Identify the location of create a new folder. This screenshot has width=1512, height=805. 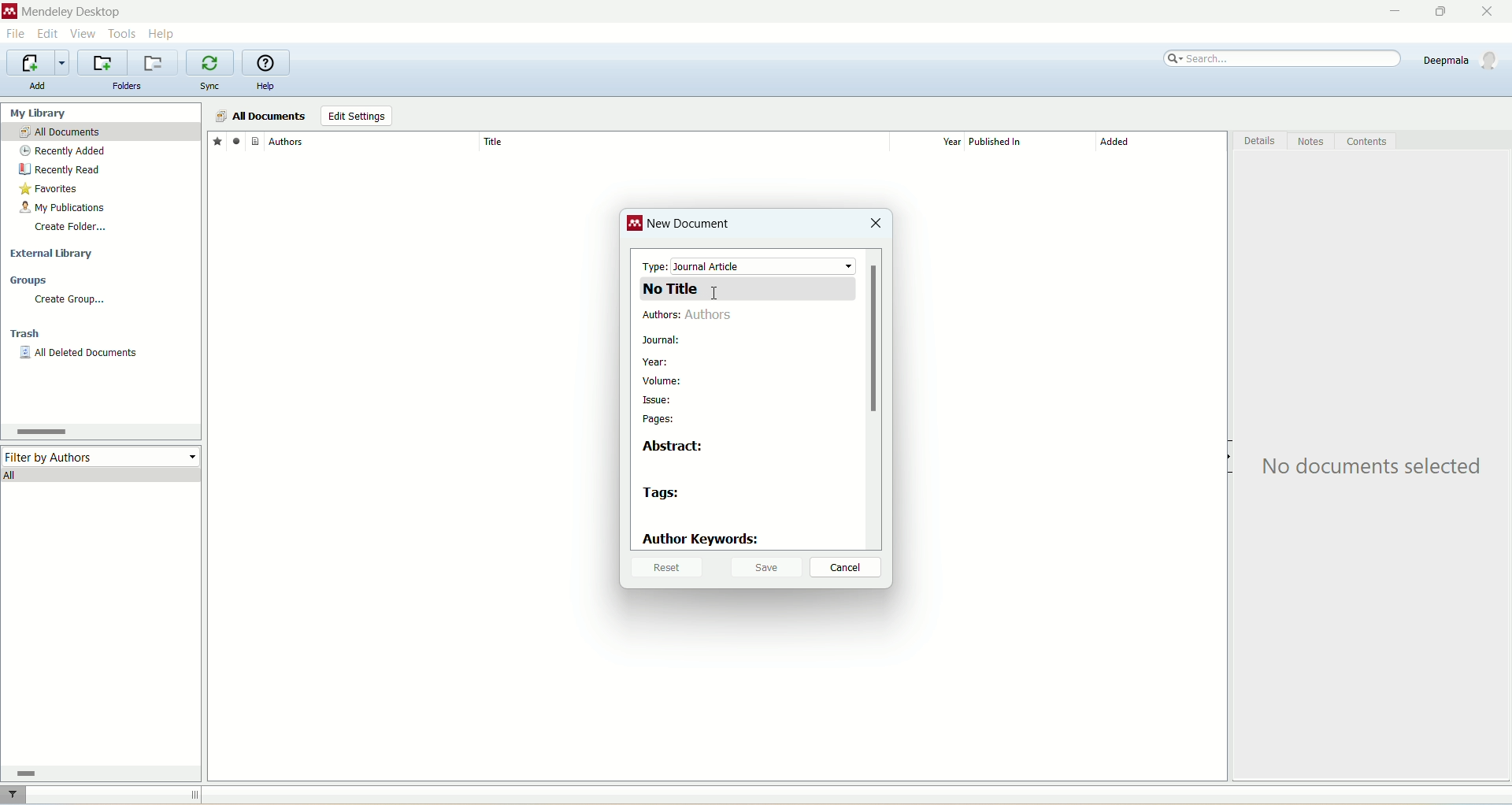
(102, 63).